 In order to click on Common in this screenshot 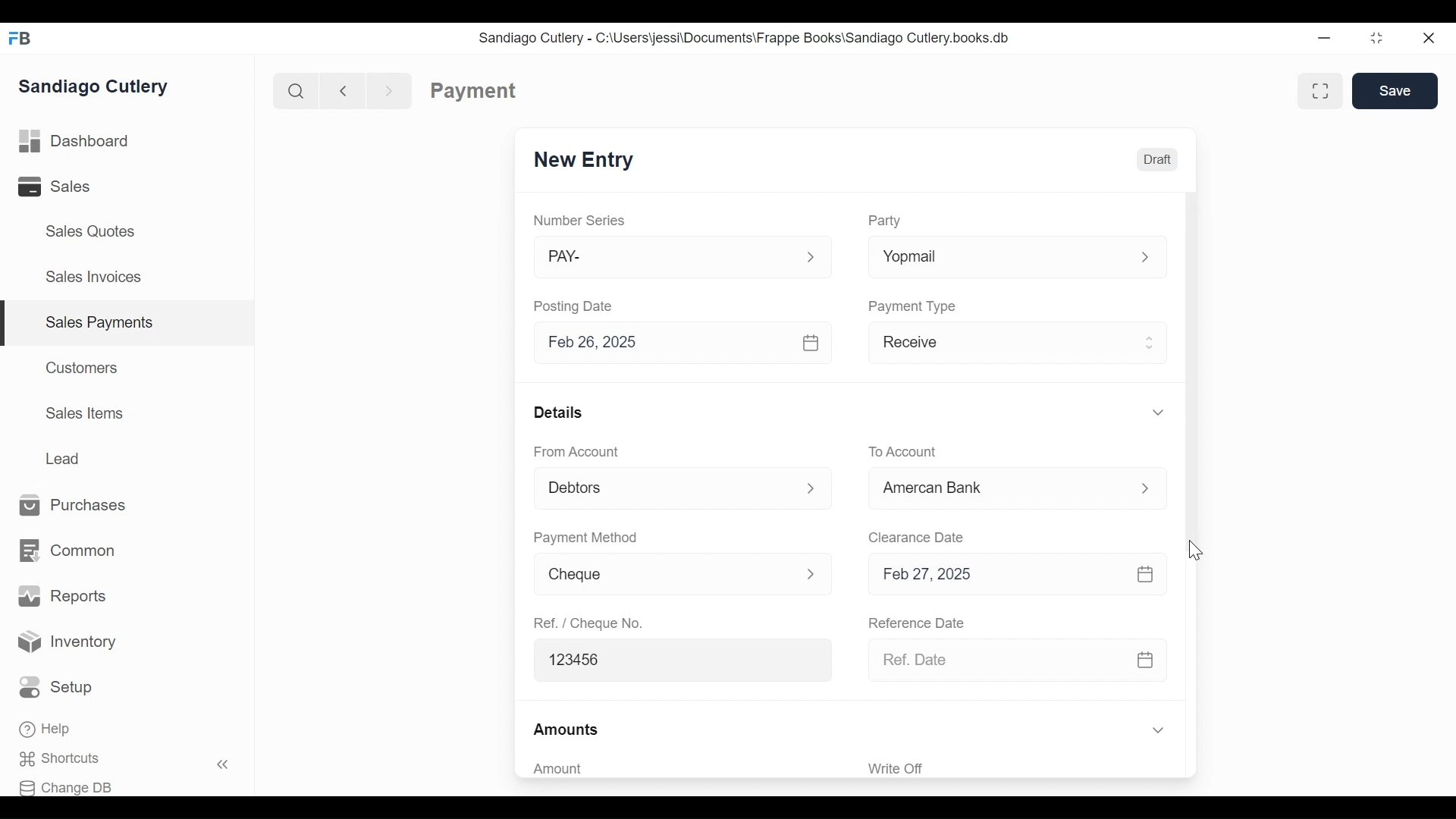, I will do `click(66, 551)`.